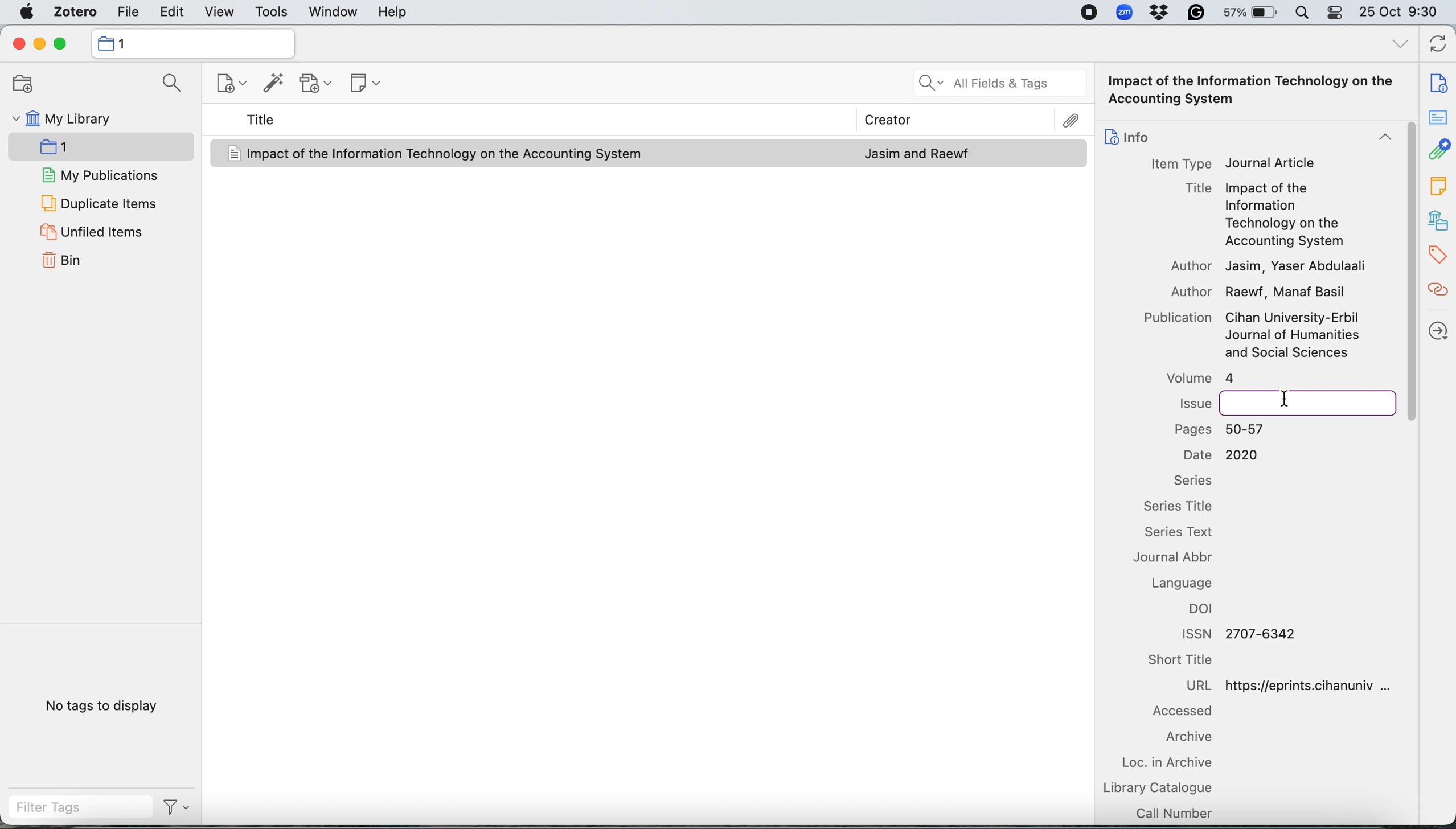  I want to click on close, so click(15, 44).